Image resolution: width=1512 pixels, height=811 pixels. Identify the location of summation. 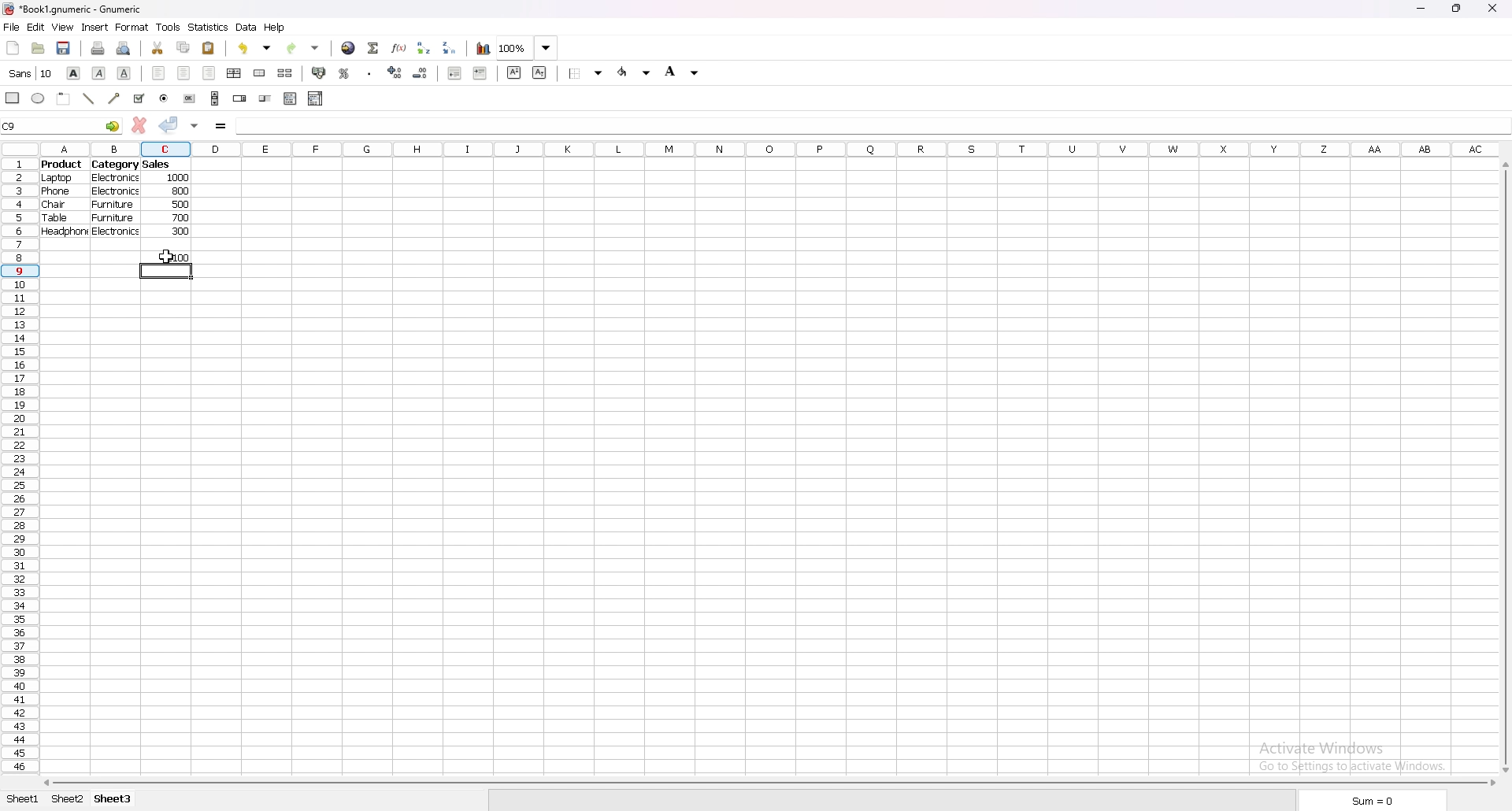
(375, 47).